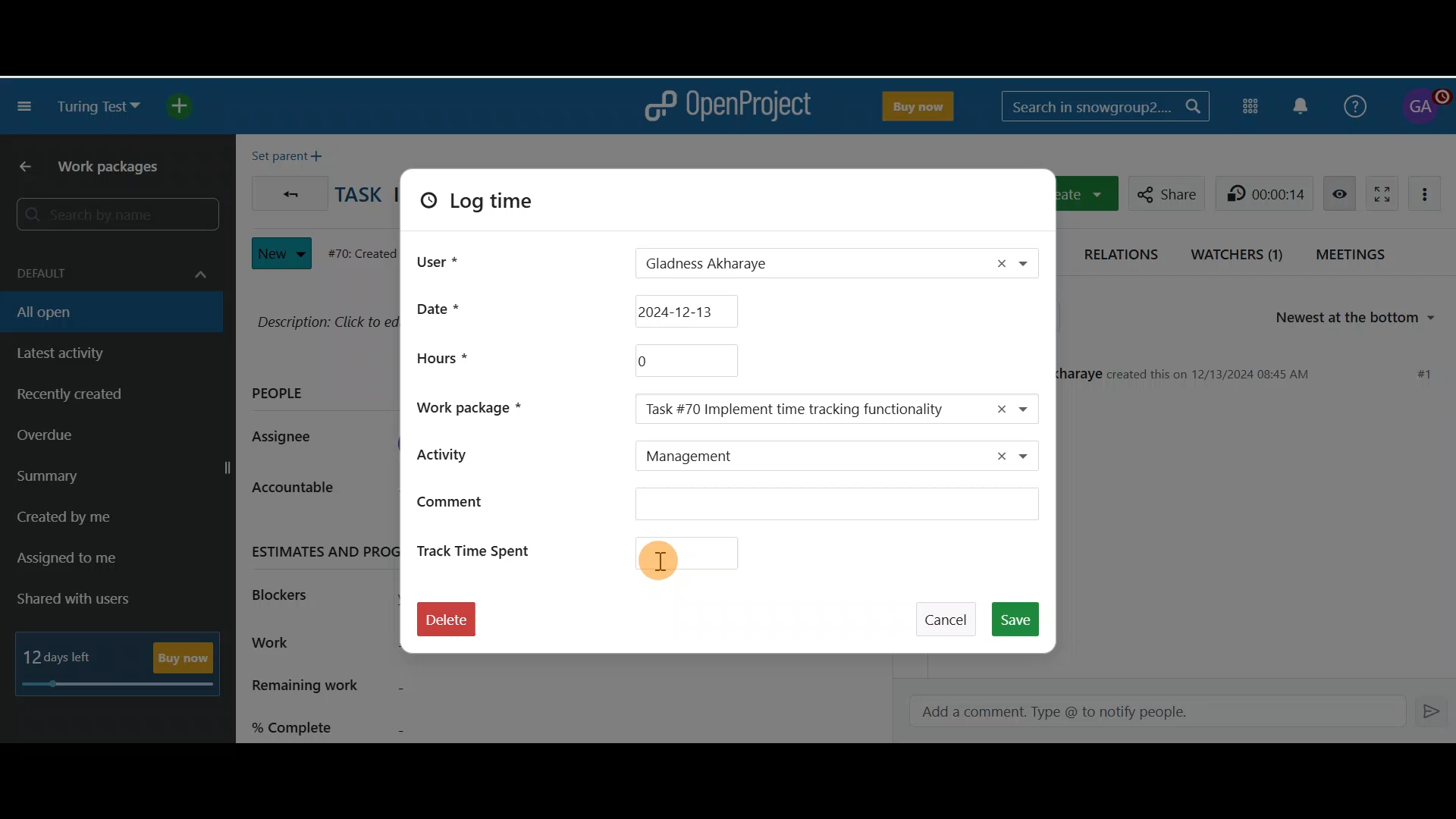 Image resolution: width=1456 pixels, height=819 pixels. What do you see at coordinates (1033, 265) in the screenshot?
I see `User drop down` at bounding box center [1033, 265].